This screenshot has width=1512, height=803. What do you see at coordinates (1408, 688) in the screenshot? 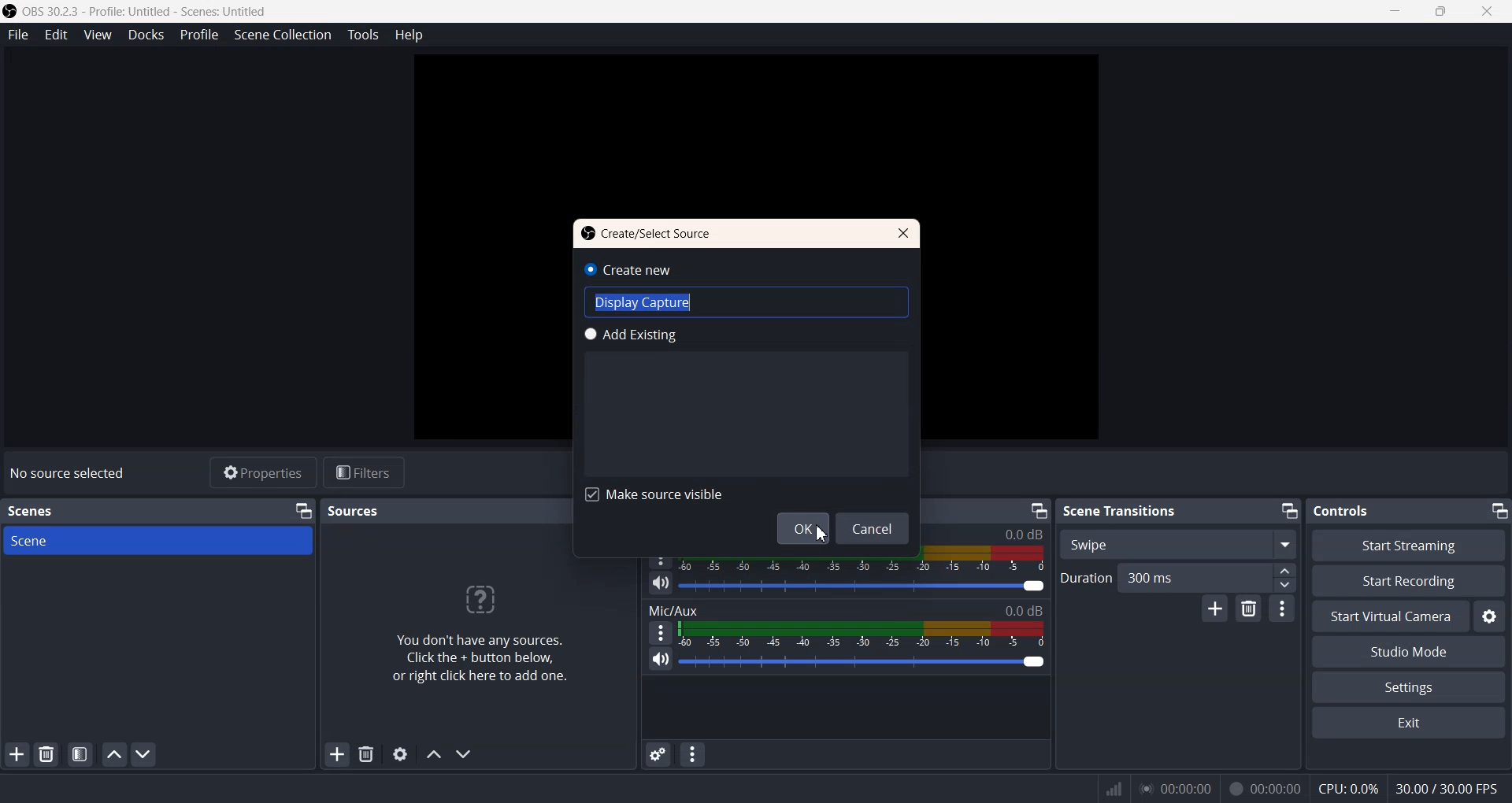
I see `Settings` at bounding box center [1408, 688].